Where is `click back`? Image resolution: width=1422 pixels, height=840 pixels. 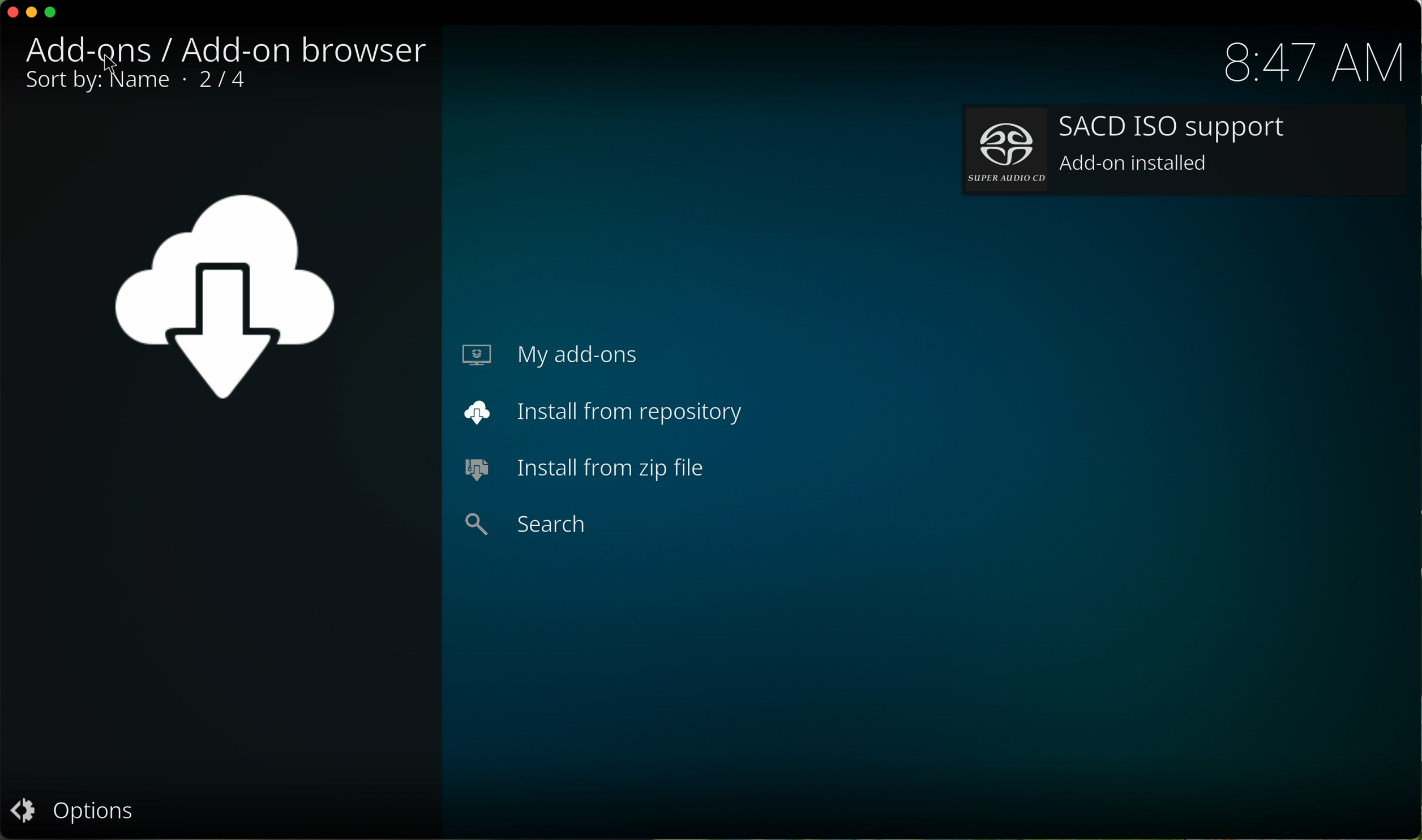
click back is located at coordinates (98, 52).